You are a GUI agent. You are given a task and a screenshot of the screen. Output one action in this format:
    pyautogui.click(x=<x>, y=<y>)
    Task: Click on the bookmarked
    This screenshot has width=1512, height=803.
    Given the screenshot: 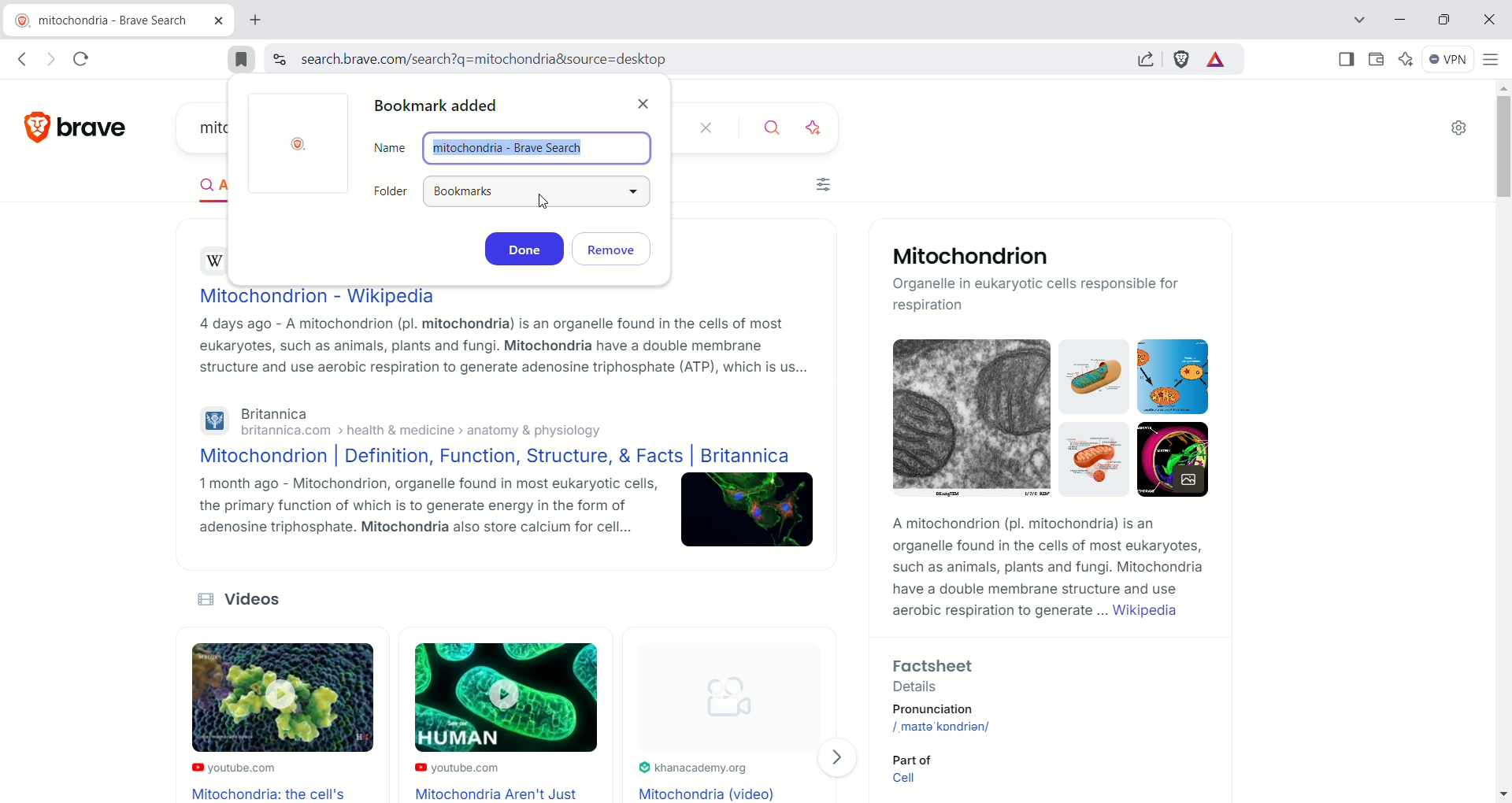 What is the action you would take?
    pyautogui.click(x=242, y=60)
    